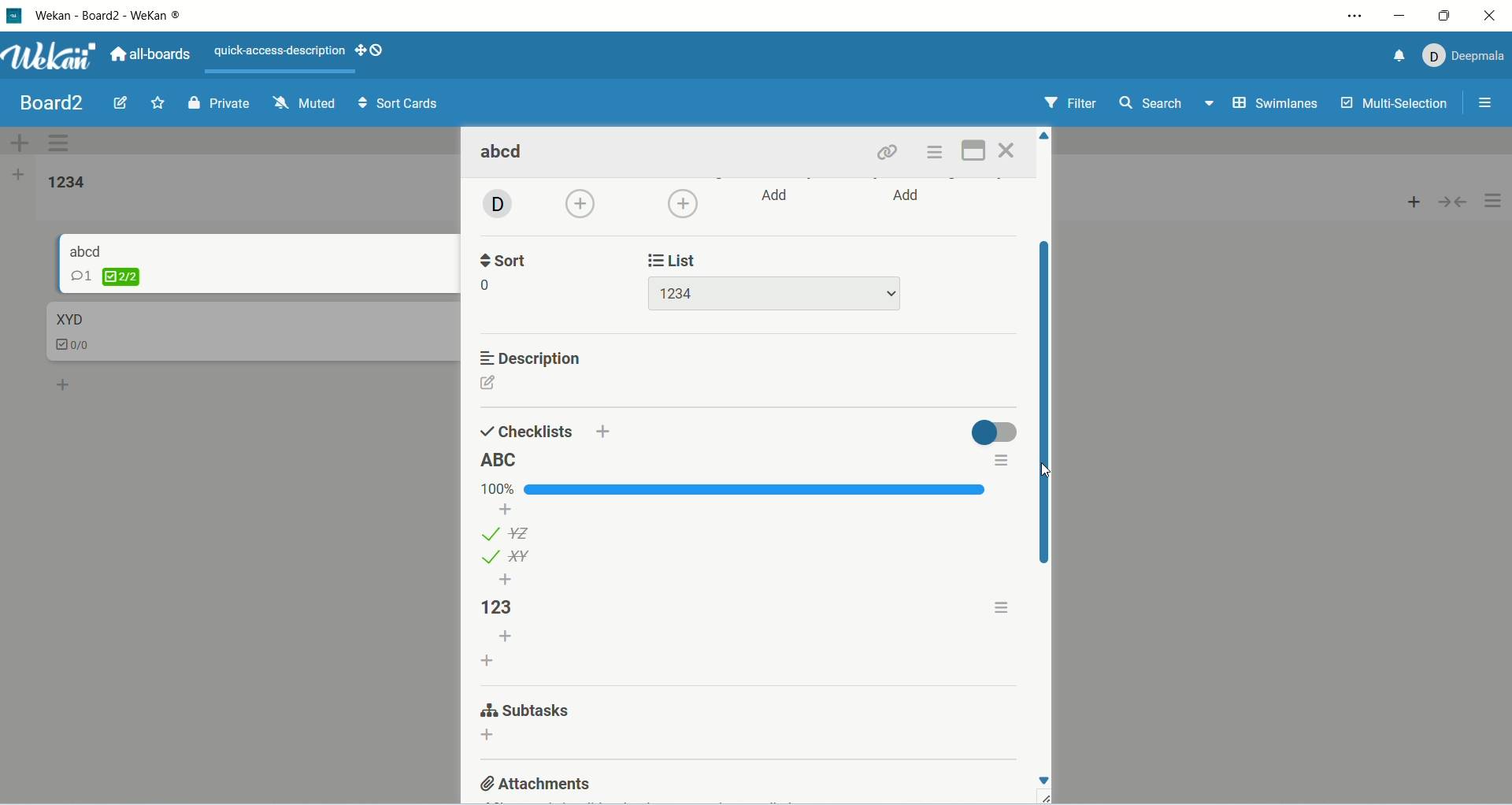  Describe the element at coordinates (677, 258) in the screenshot. I see `list` at that location.